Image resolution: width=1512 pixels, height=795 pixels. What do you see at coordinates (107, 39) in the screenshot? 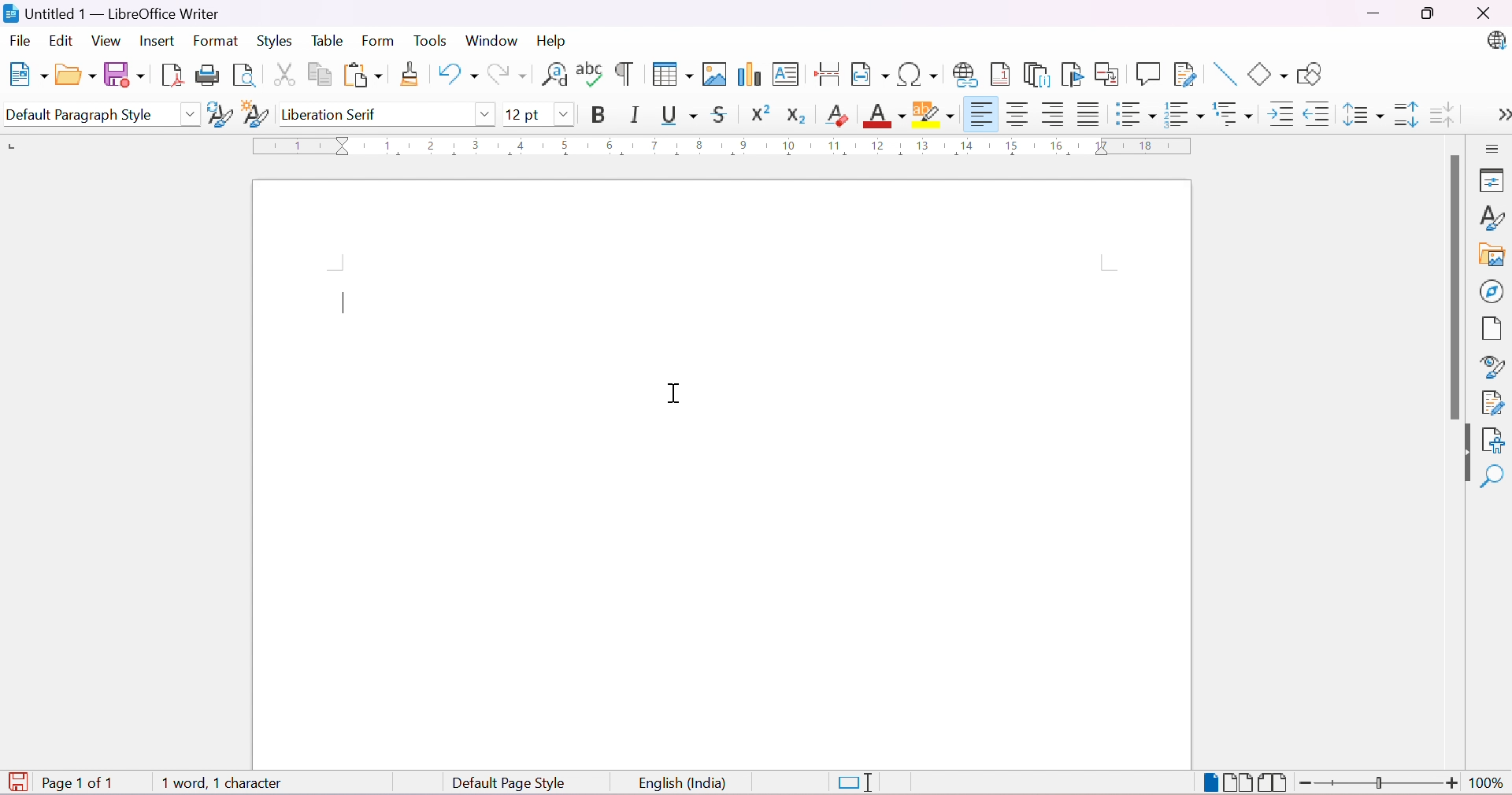
I see `View` at bounding box center [107, 39].